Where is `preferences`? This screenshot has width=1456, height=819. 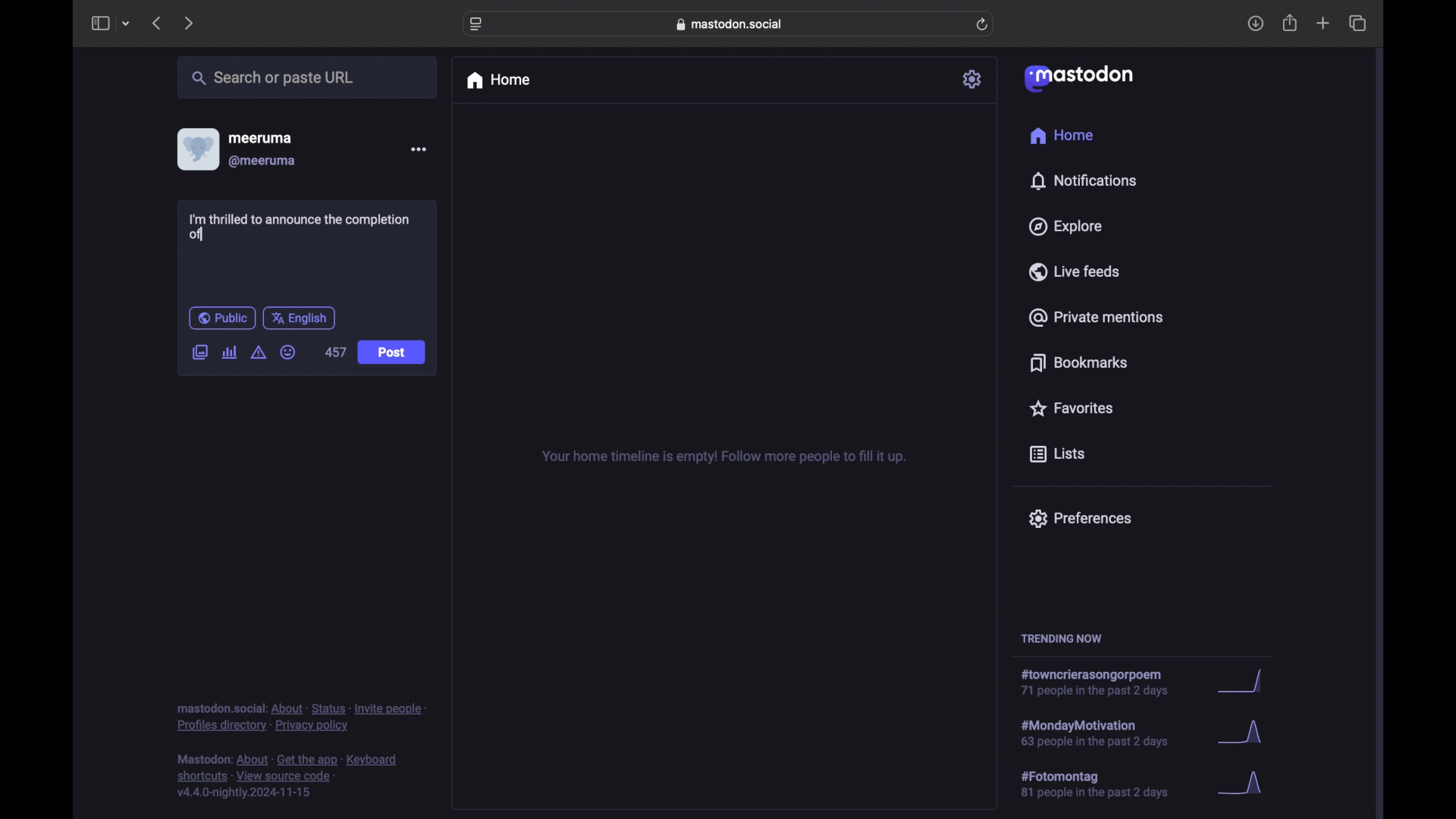 preferences is located at coordinates (1080, 519).